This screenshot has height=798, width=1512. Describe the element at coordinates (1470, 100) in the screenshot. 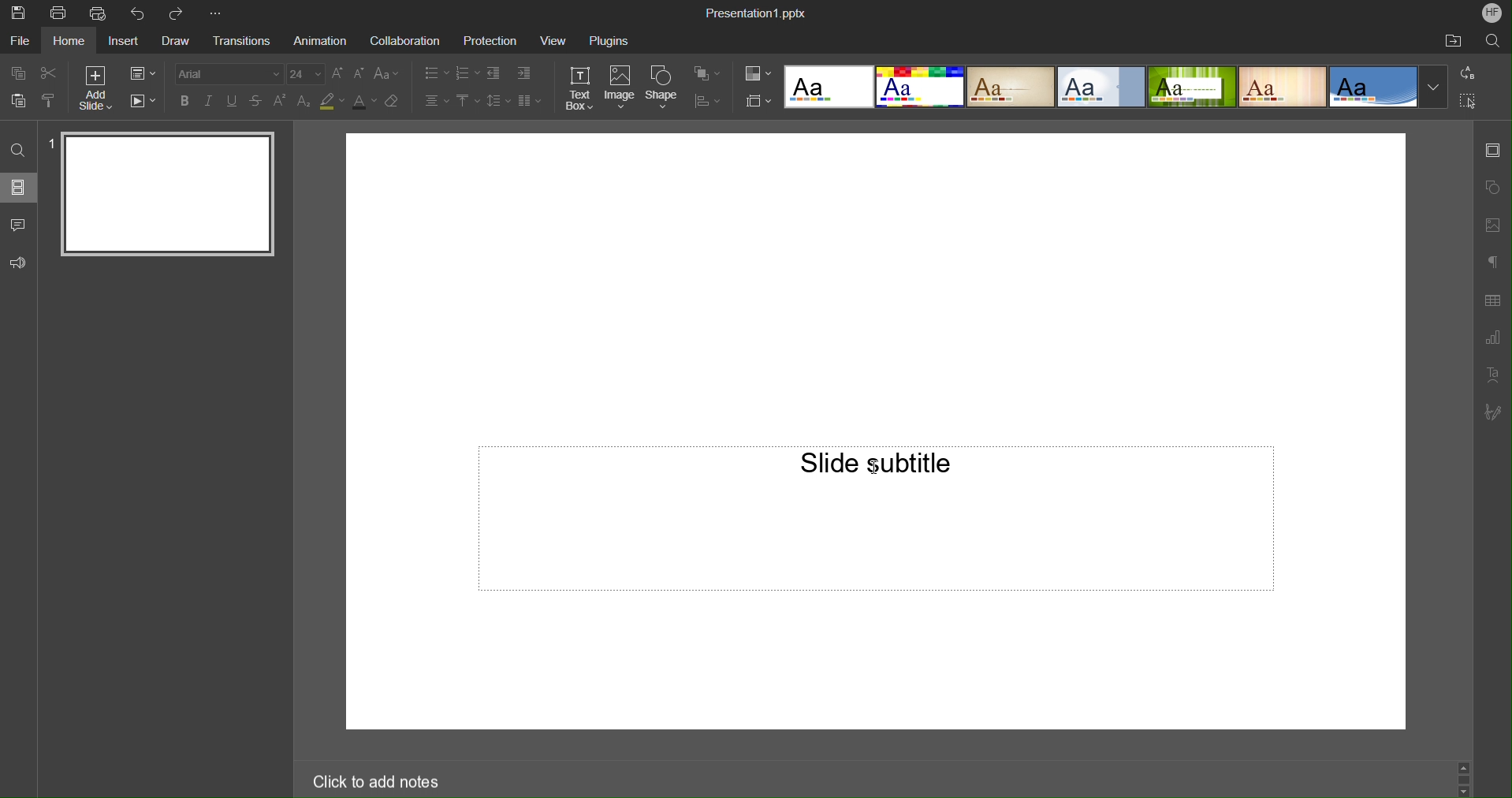

I see `Select All` at that location.